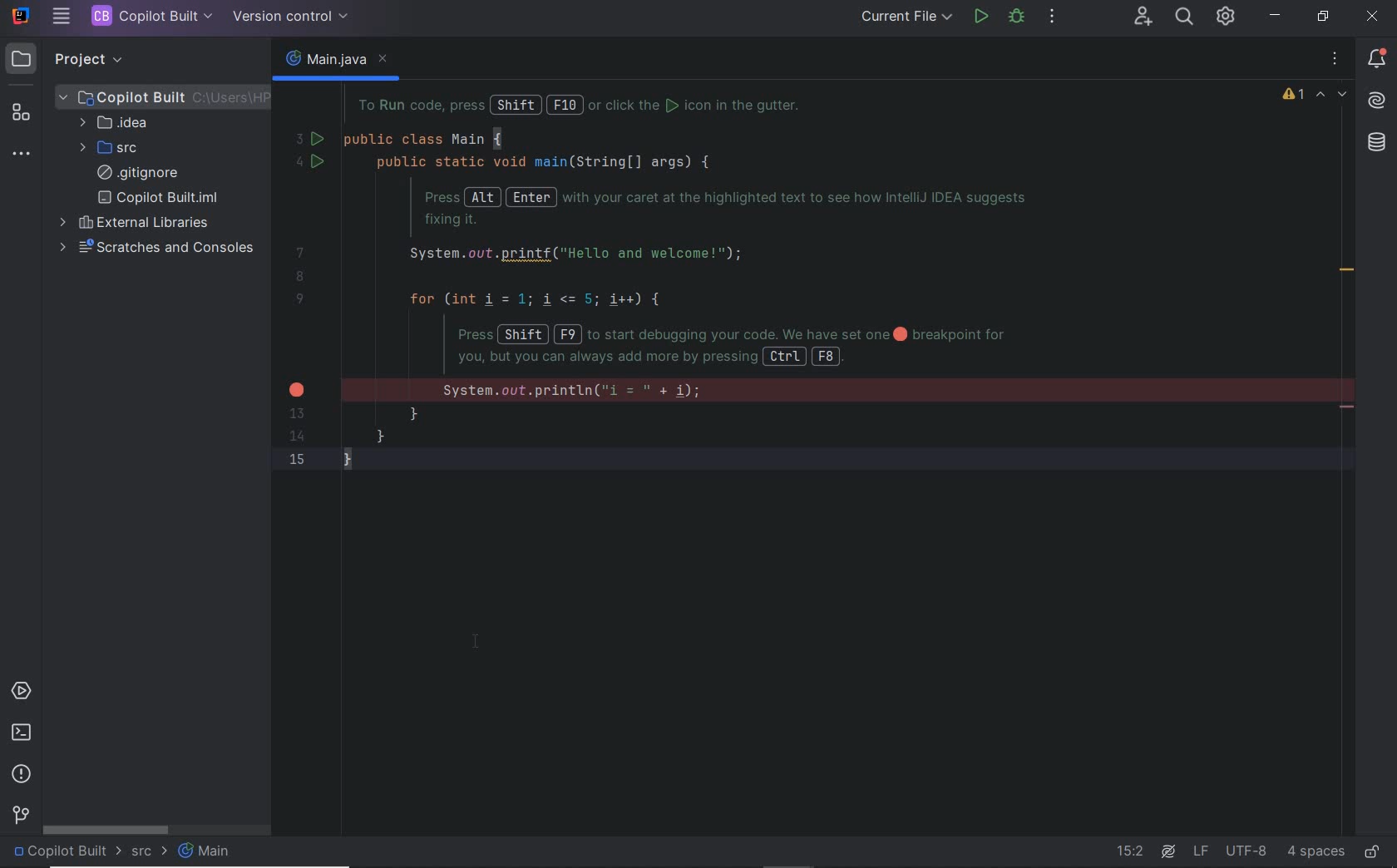 The image size is (1397, 868). What do you see at coordinates (163, 96) in the screenshot?
I see `PROJECT FILE ANME` at bounding box center [163, 96].